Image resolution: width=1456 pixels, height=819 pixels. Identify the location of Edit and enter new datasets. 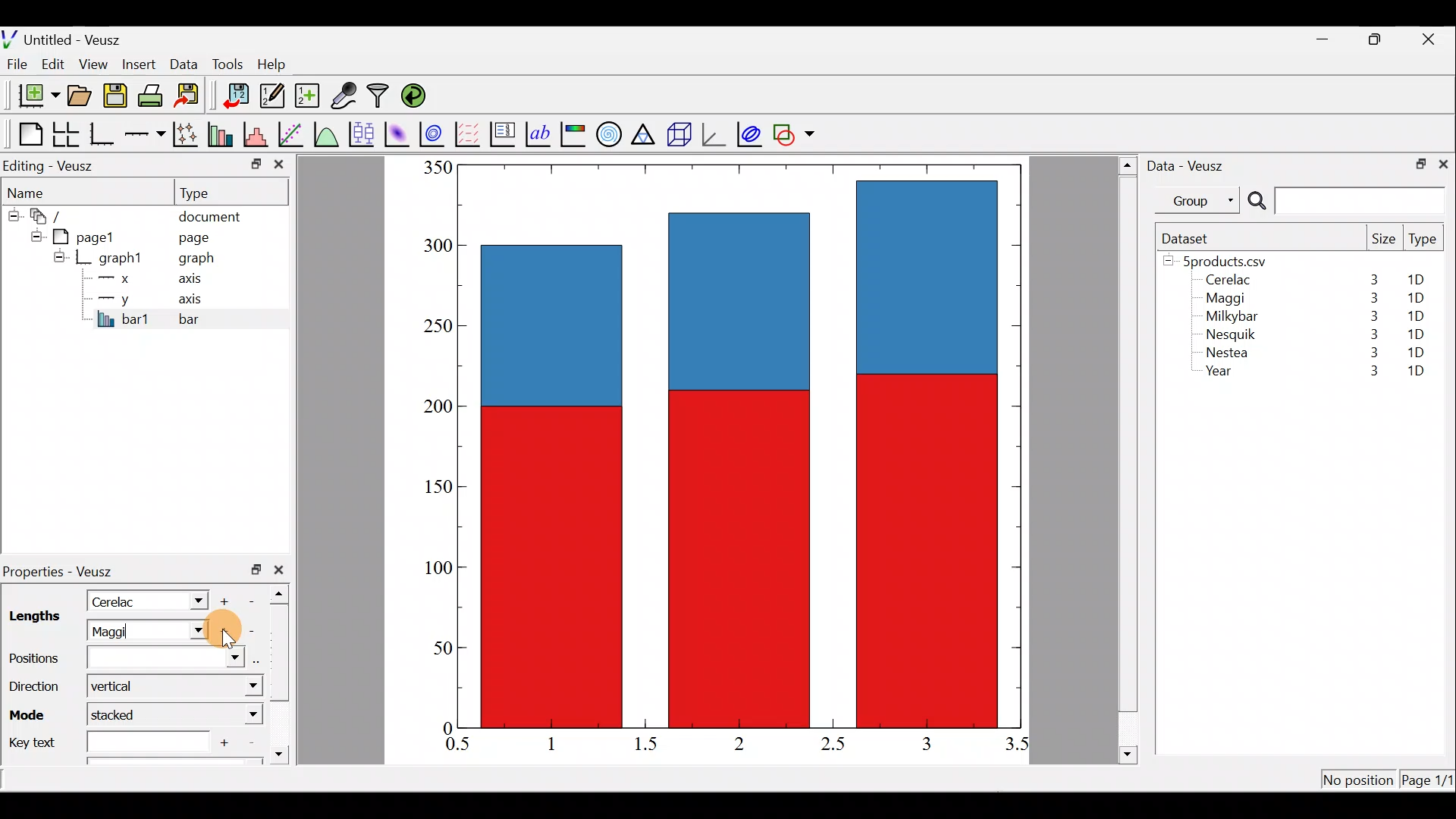
(272, 96).